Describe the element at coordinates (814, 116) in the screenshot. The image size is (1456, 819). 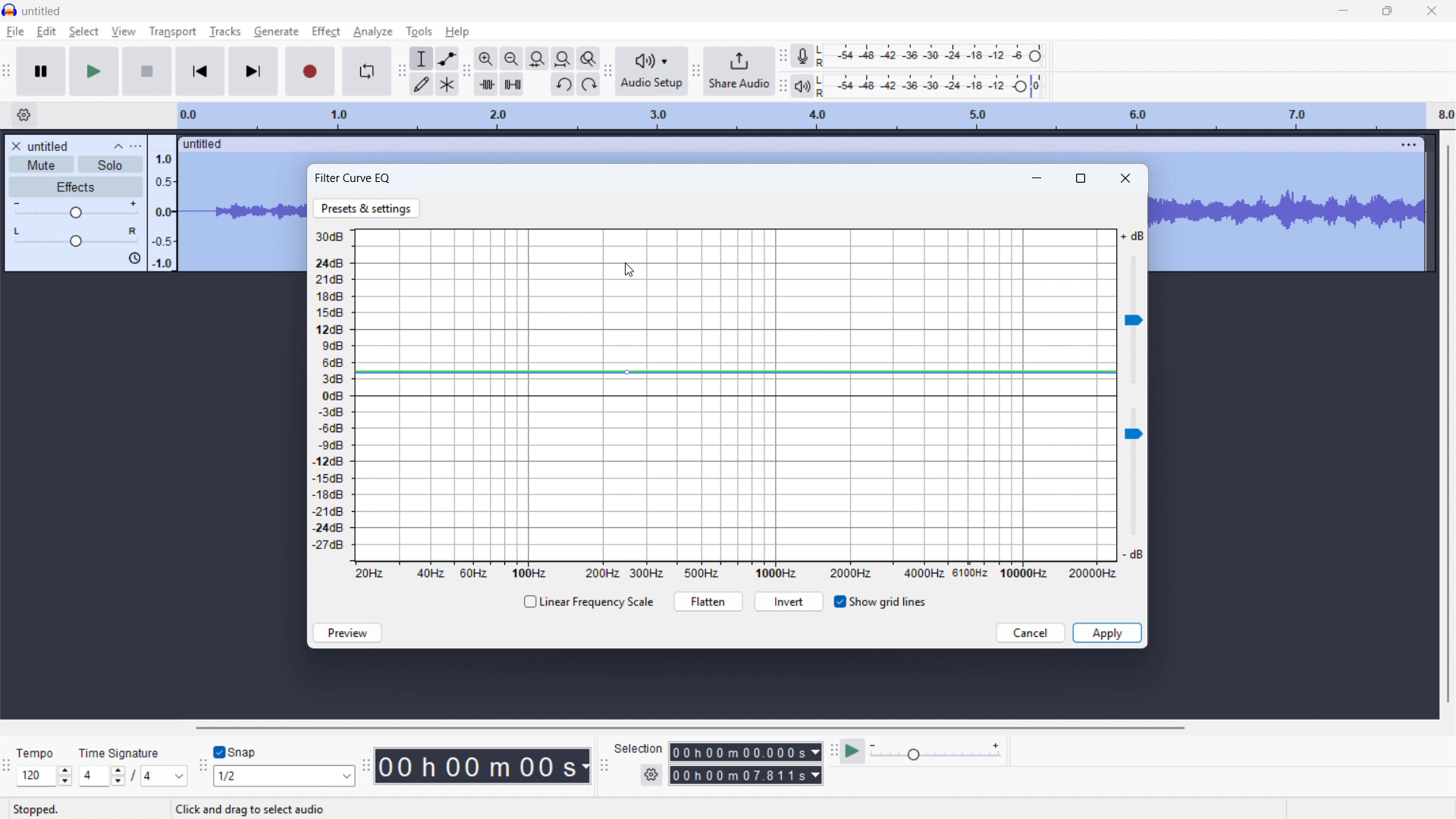
I see `timeline` at that location.